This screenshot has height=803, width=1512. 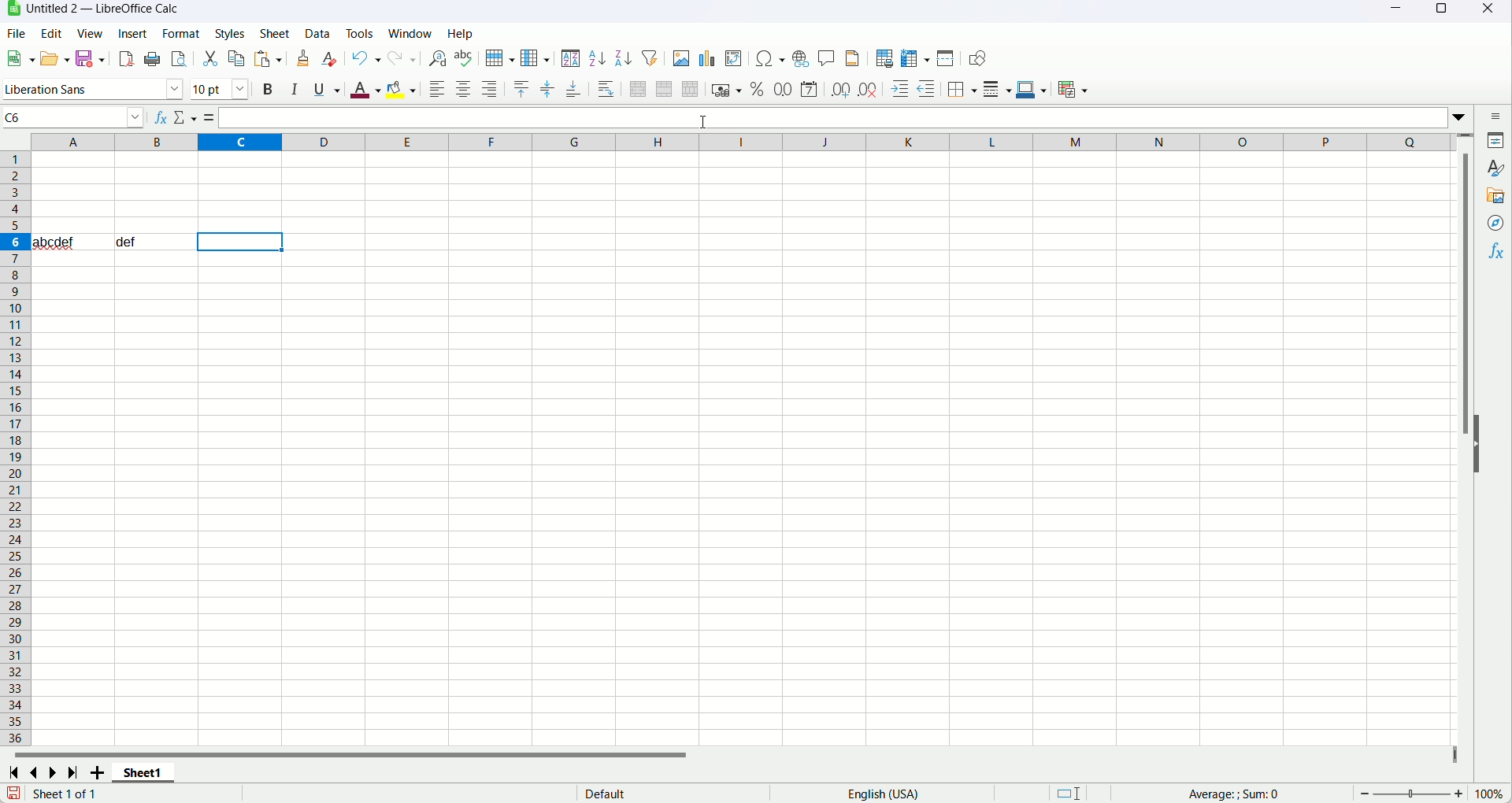 I want to click on insert special character, so click(x=770, y=58).